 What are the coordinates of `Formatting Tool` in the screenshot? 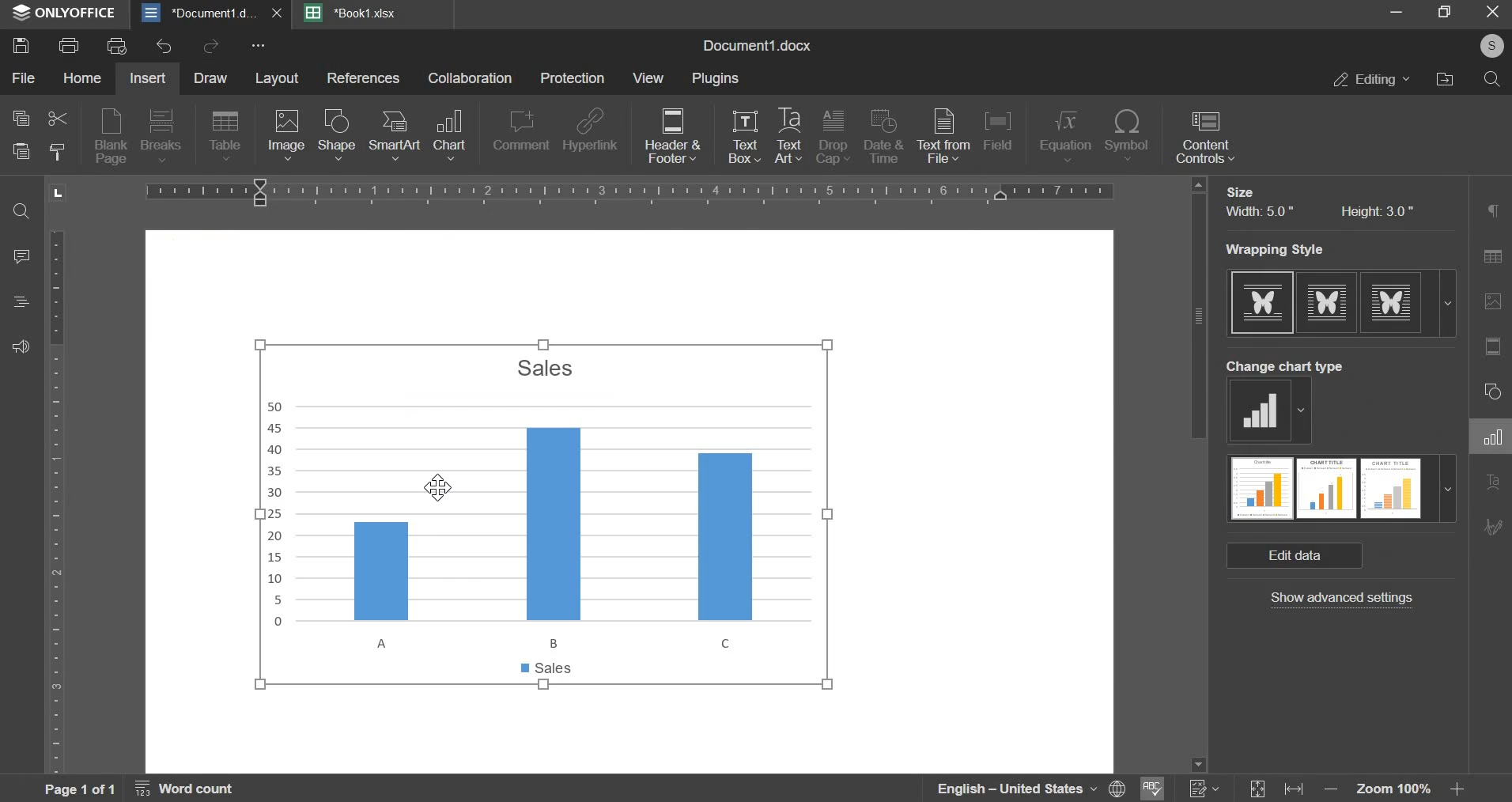 It's located at (1492, 481).